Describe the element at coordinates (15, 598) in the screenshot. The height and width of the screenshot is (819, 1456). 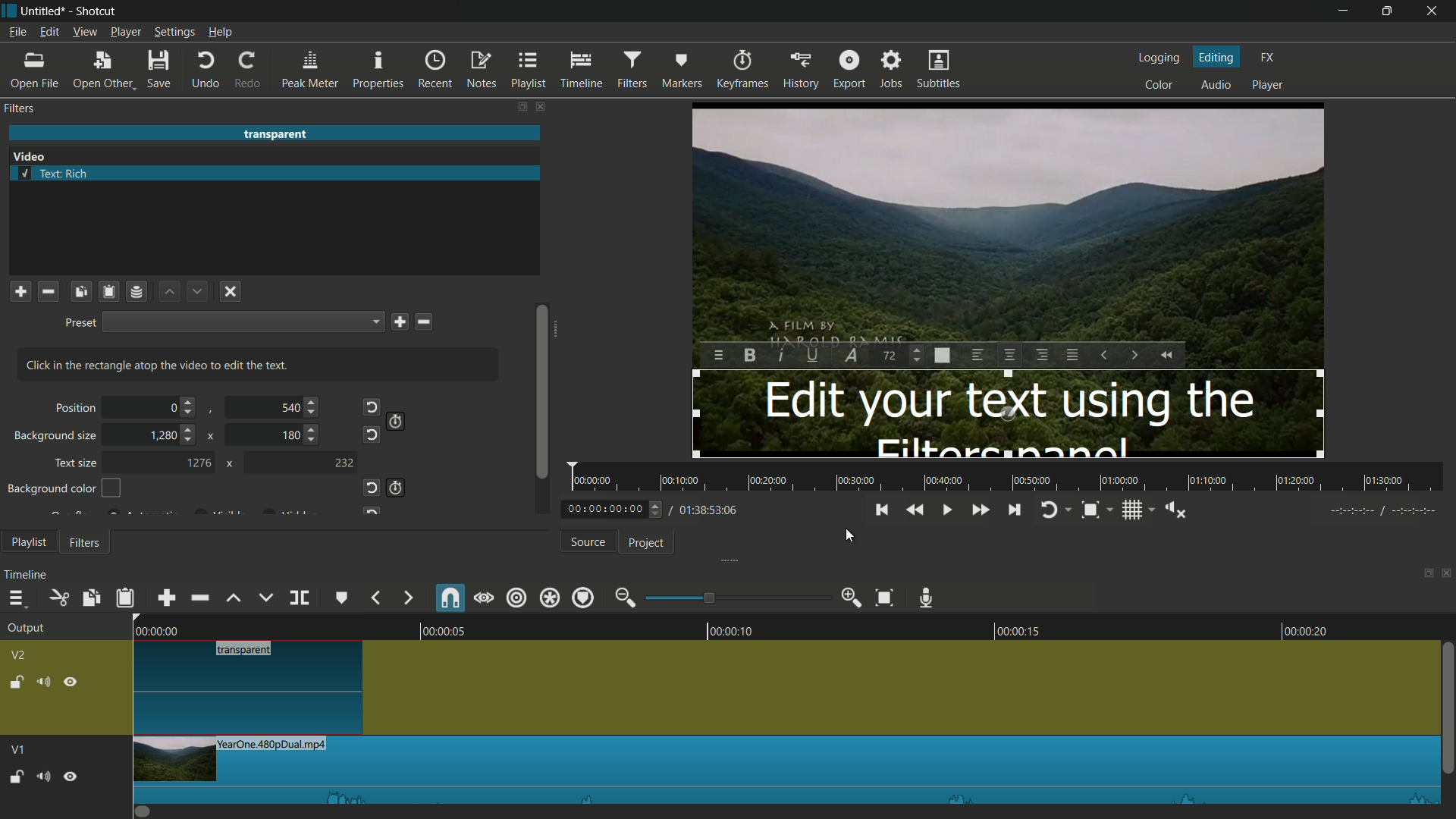
I see `timeline menu` at that location.